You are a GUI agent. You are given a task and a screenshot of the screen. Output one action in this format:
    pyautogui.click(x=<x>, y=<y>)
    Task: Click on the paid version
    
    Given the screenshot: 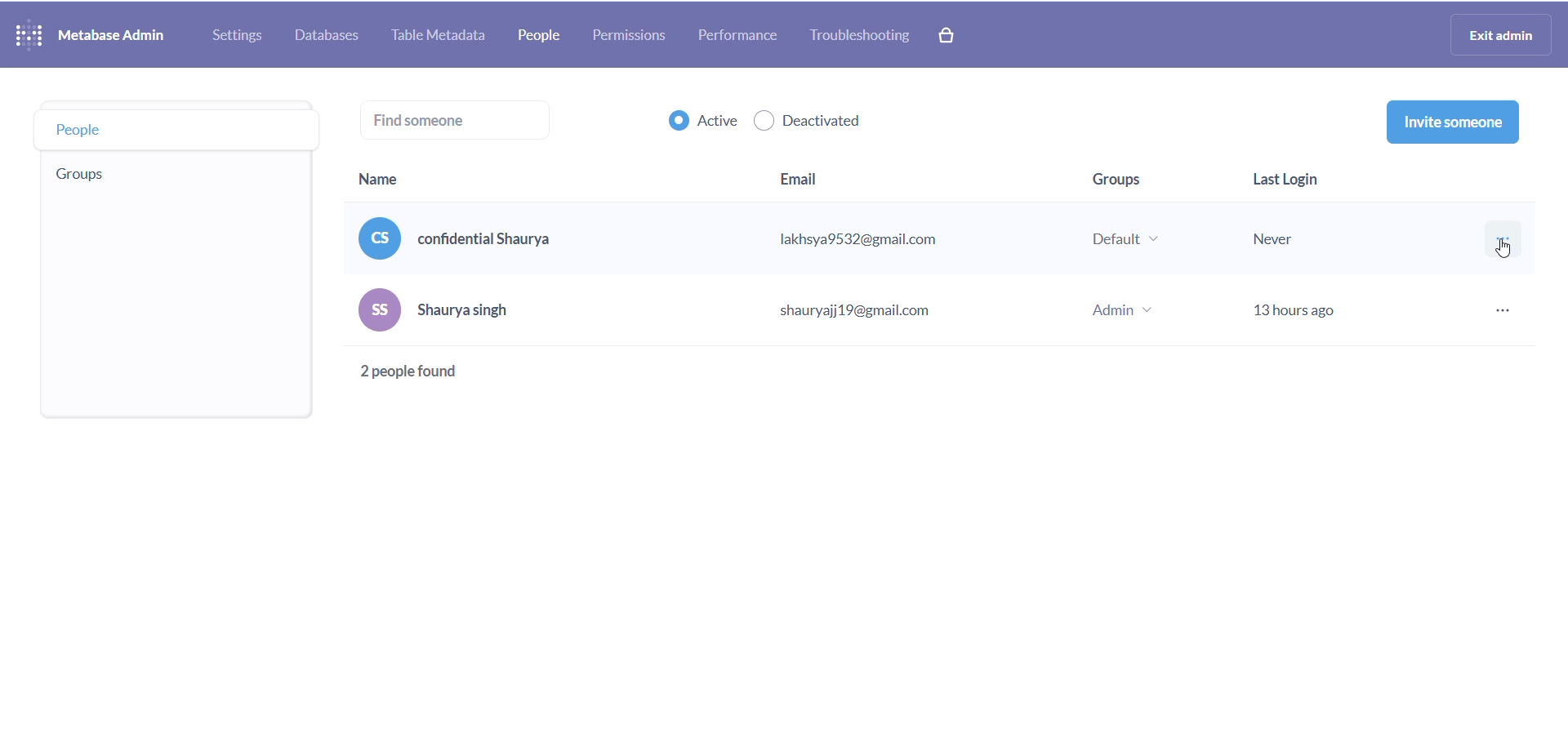 What is the action you would take?
    pyautogui.click(x=949, y=34)
    